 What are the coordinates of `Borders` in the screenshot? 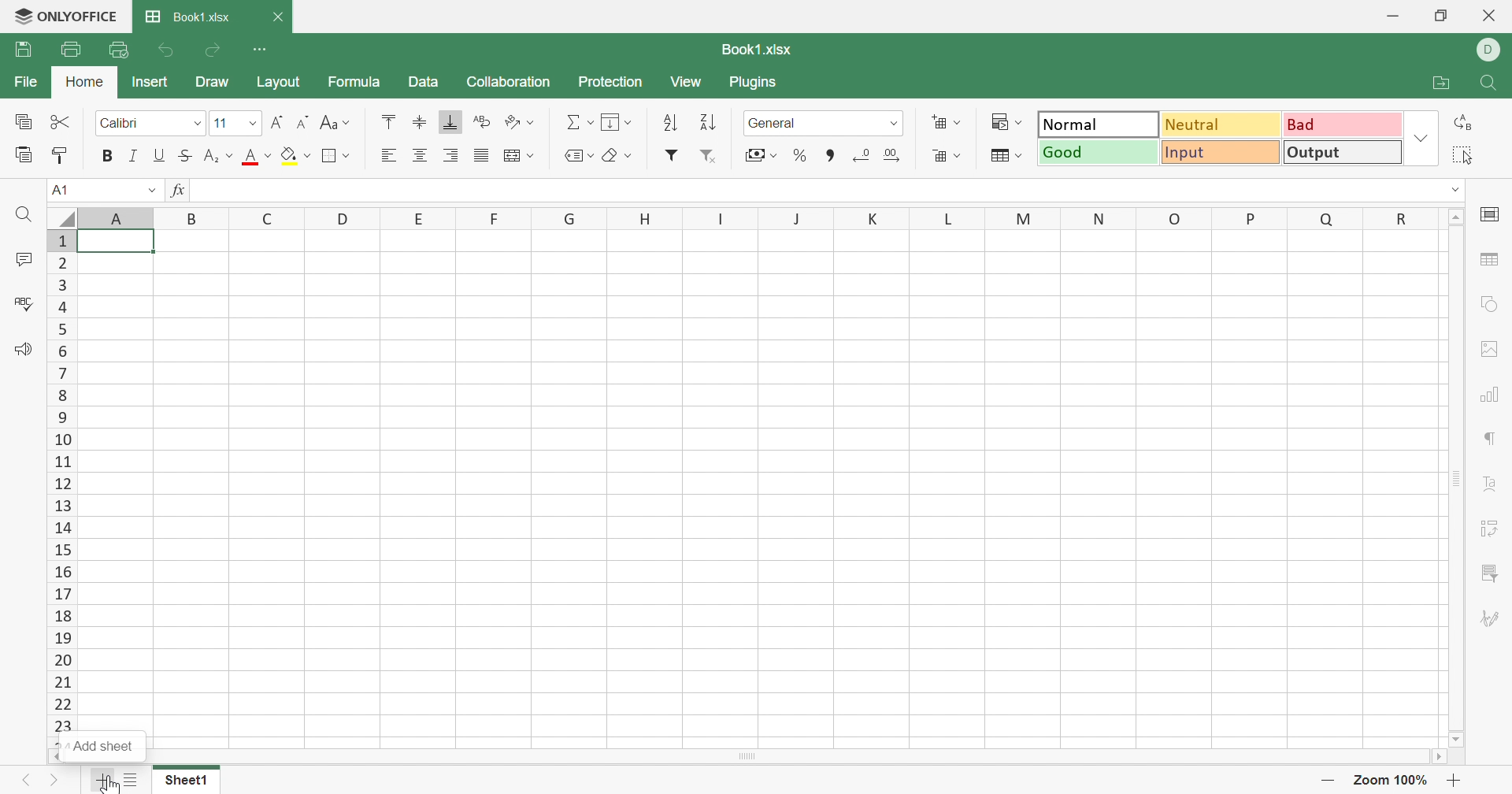 It's located at (325, 155).